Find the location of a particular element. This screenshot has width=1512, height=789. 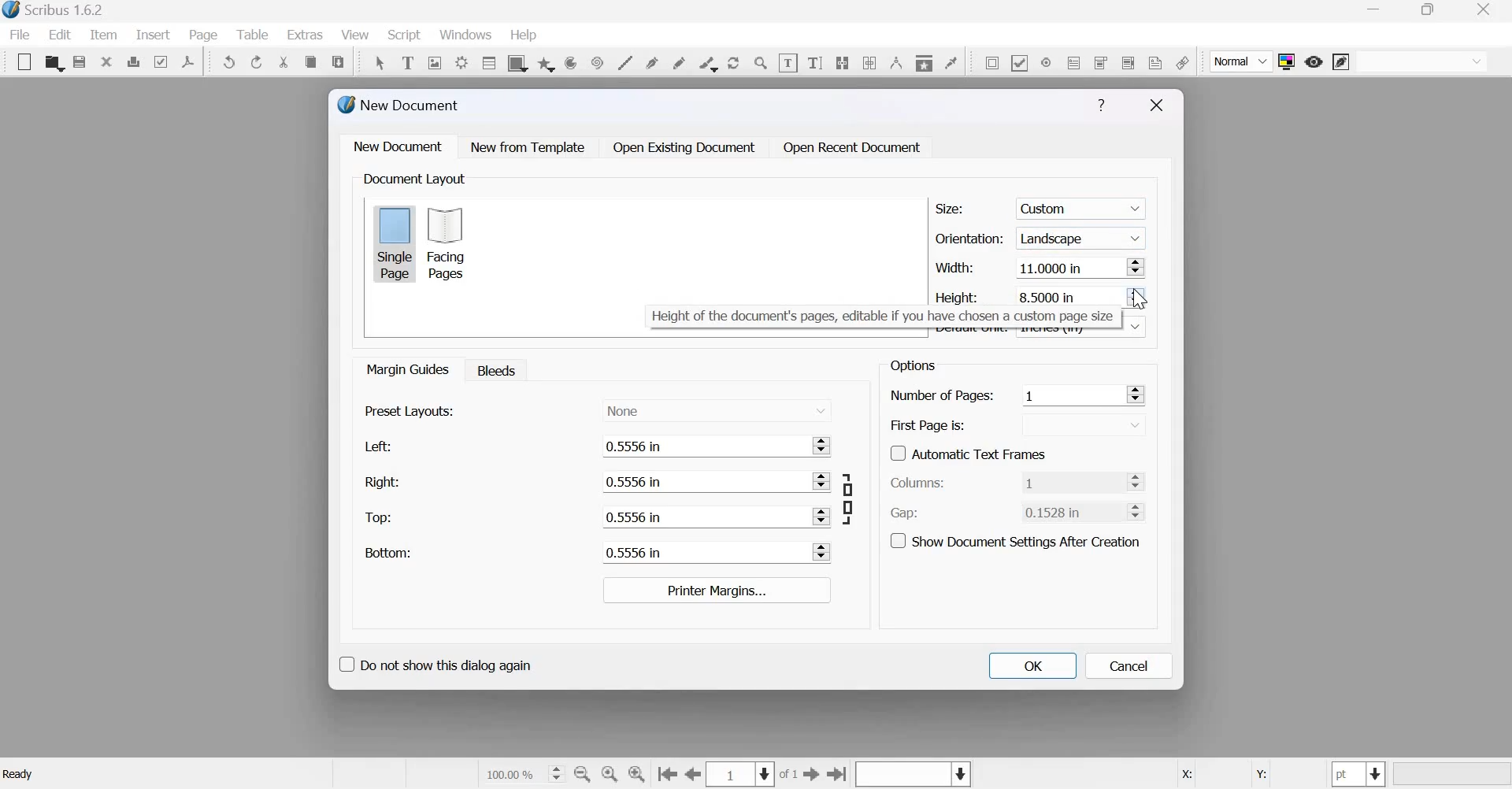

Right: is located at coordinates (381, 481).